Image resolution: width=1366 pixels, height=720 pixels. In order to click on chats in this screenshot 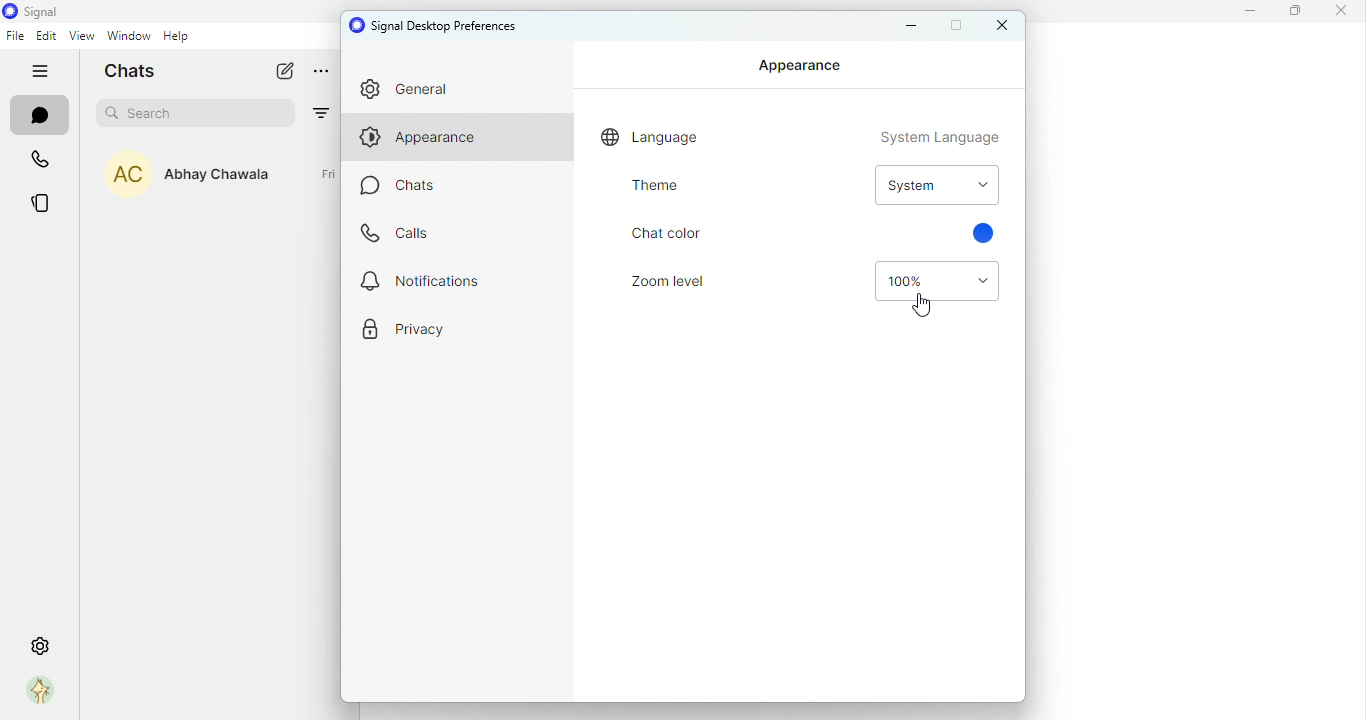, I will do `click(419, 188)`.